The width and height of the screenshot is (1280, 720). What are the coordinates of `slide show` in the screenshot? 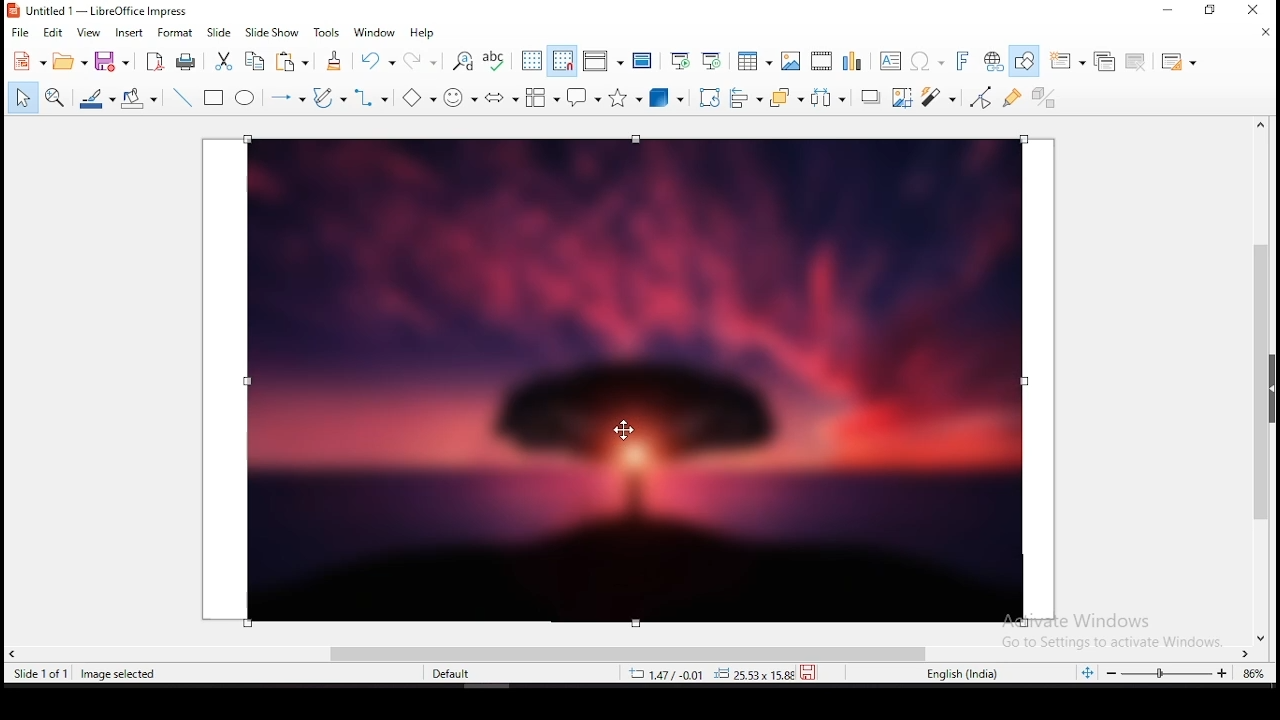 It's located at (273, 32).